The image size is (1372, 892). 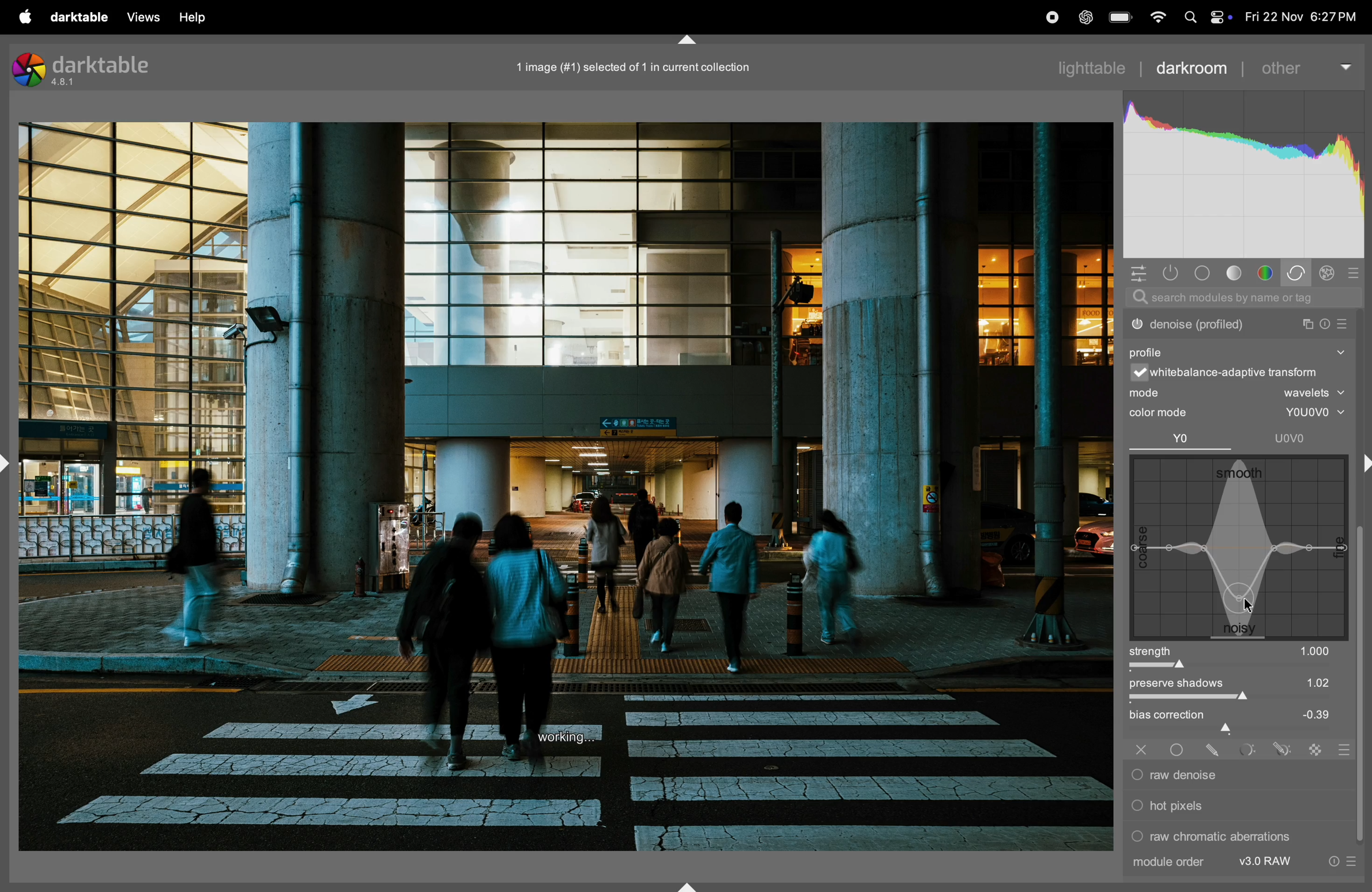 I want to click on wifi, so click(x=1157, y=18).